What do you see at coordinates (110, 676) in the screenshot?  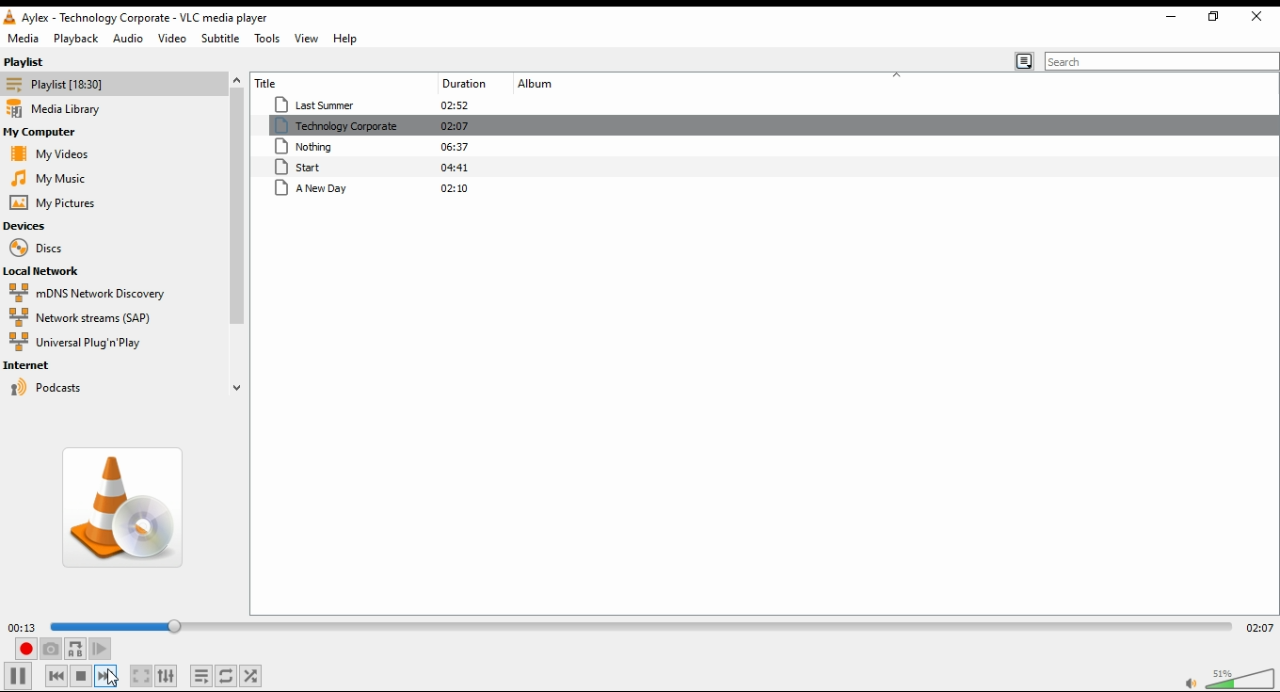 I see `mouse on next media in playlist, skips forward when held` at bounding box center [110, 676].